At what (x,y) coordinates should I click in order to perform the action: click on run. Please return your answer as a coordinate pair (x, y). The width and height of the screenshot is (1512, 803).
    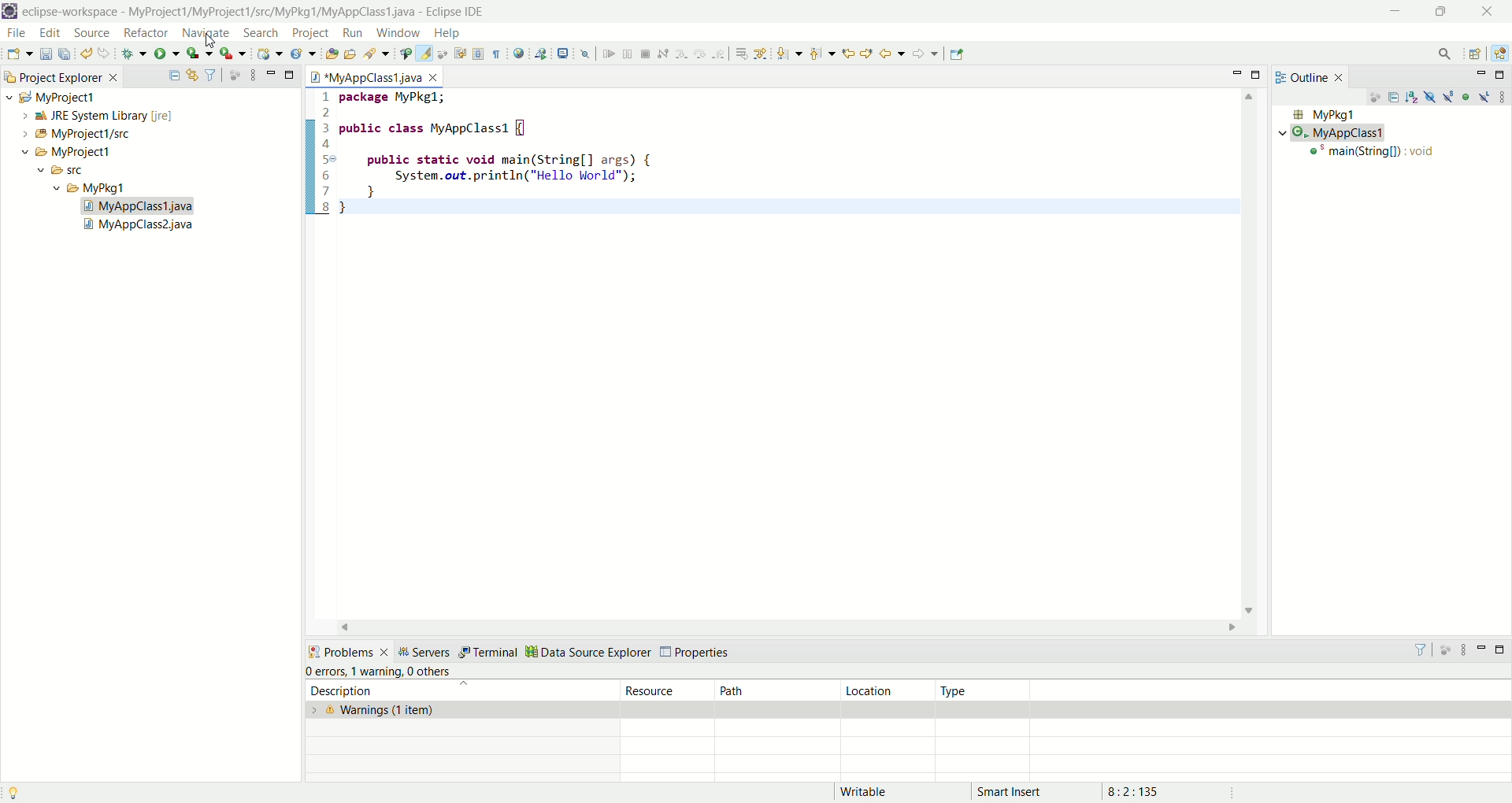
    Looking at the image, I should click on (353, 33).